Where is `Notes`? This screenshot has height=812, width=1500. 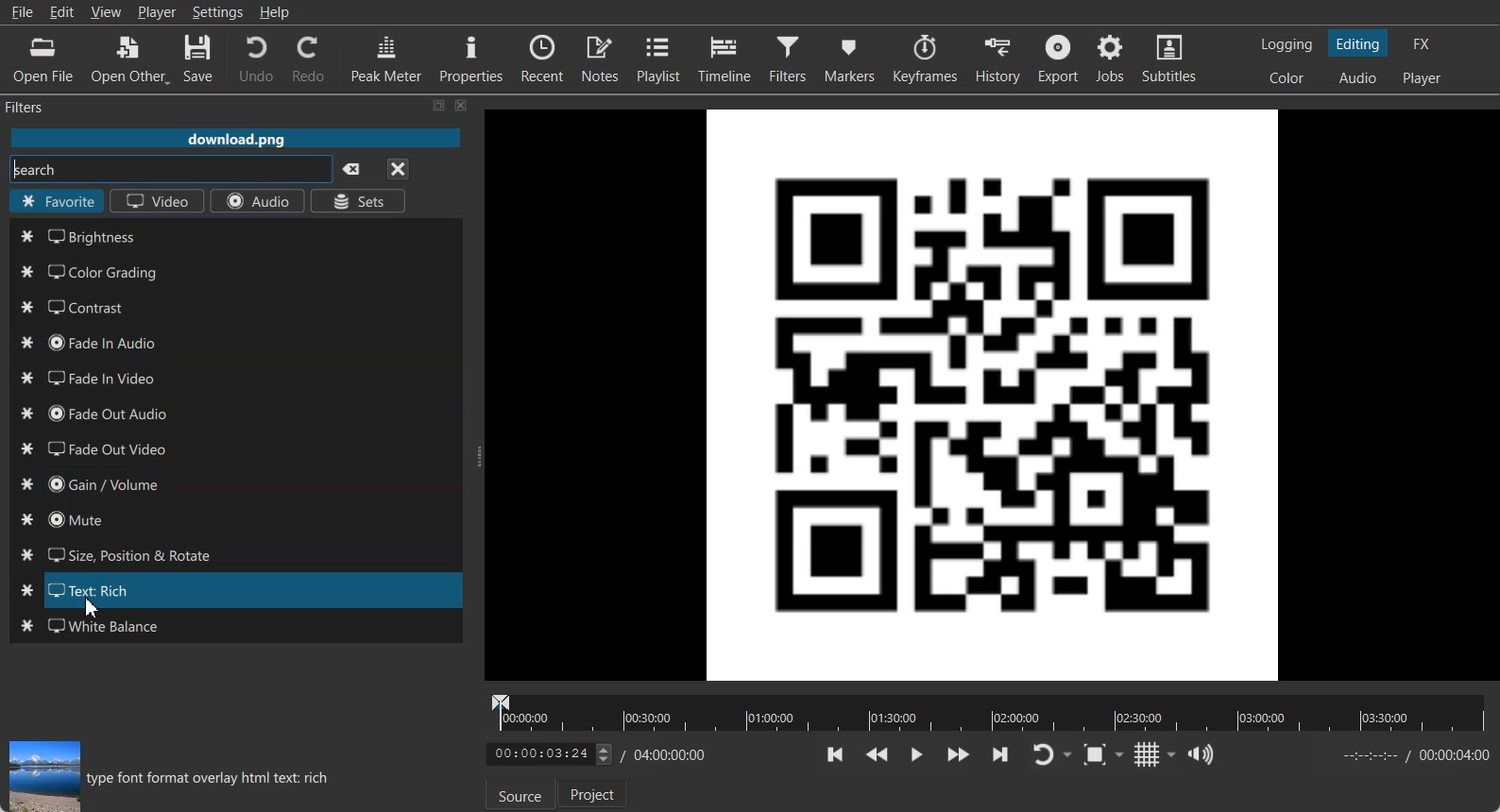 Notes is located at coordinates (602, 58).